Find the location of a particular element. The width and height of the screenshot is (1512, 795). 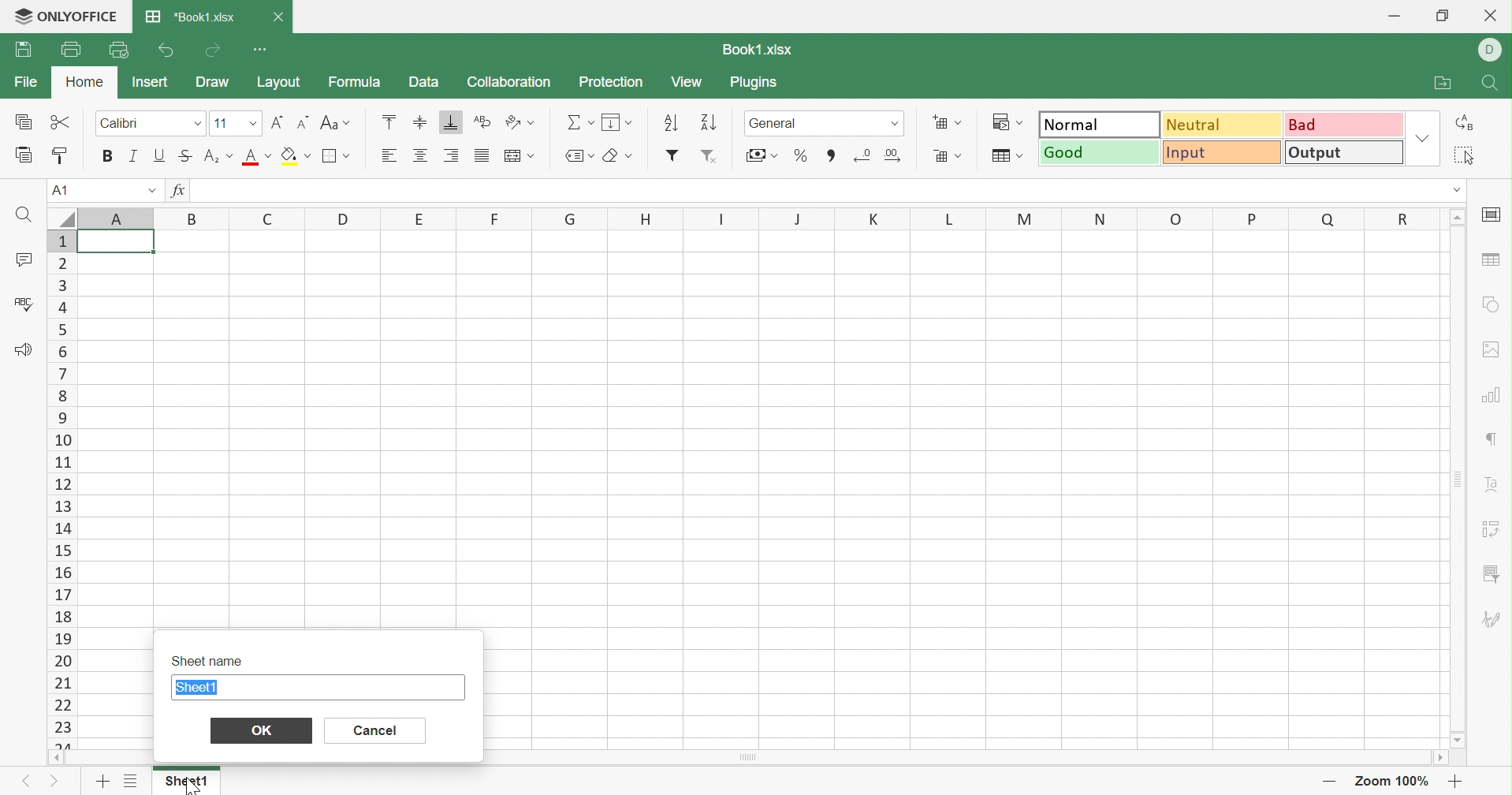

Add filter is located at coordinates (674, 155).